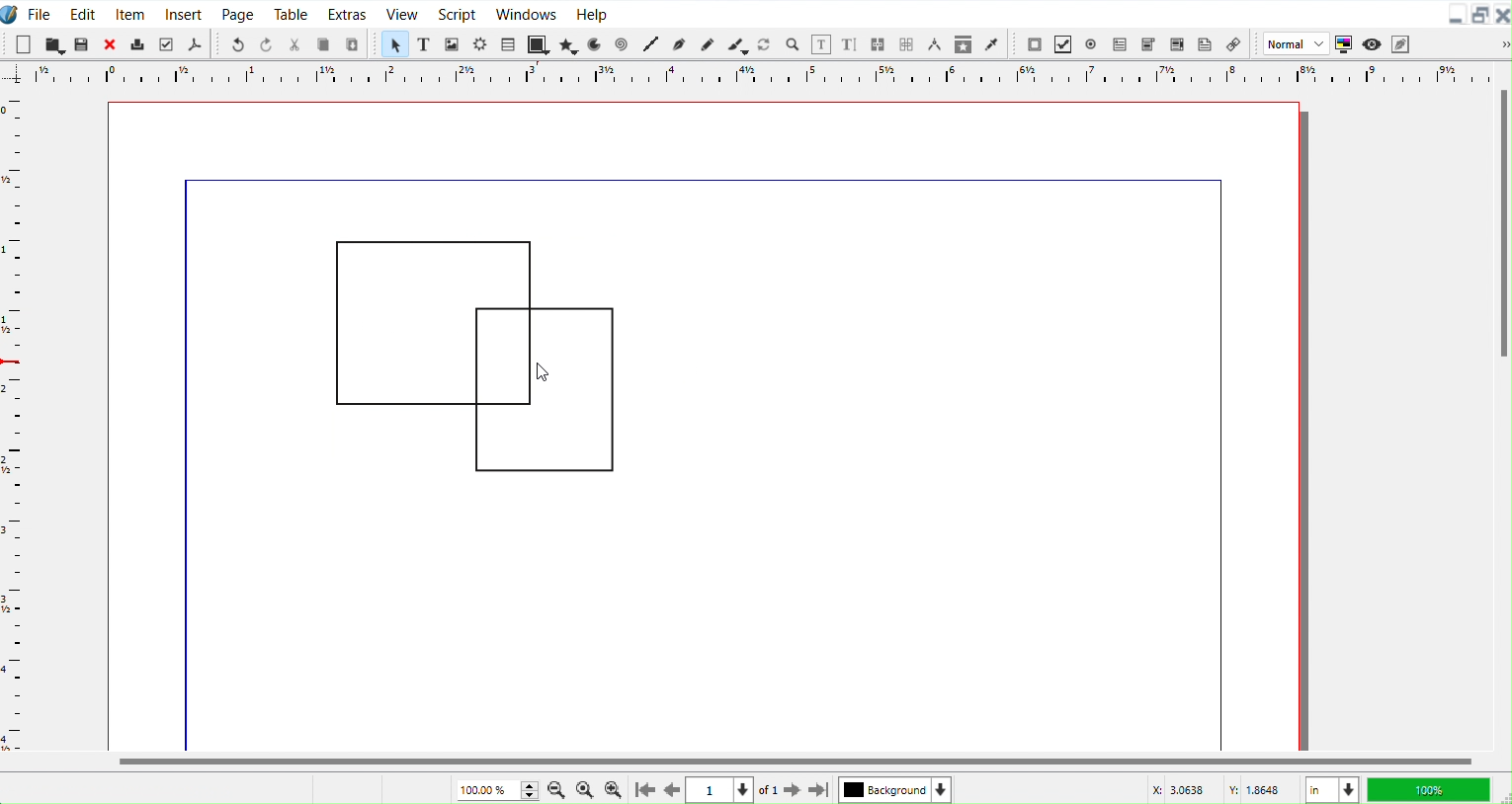 The image size is (1512, 804). Describe the element at coordinates (539, 43) in the screenshot. I see `Shape ` at that location.